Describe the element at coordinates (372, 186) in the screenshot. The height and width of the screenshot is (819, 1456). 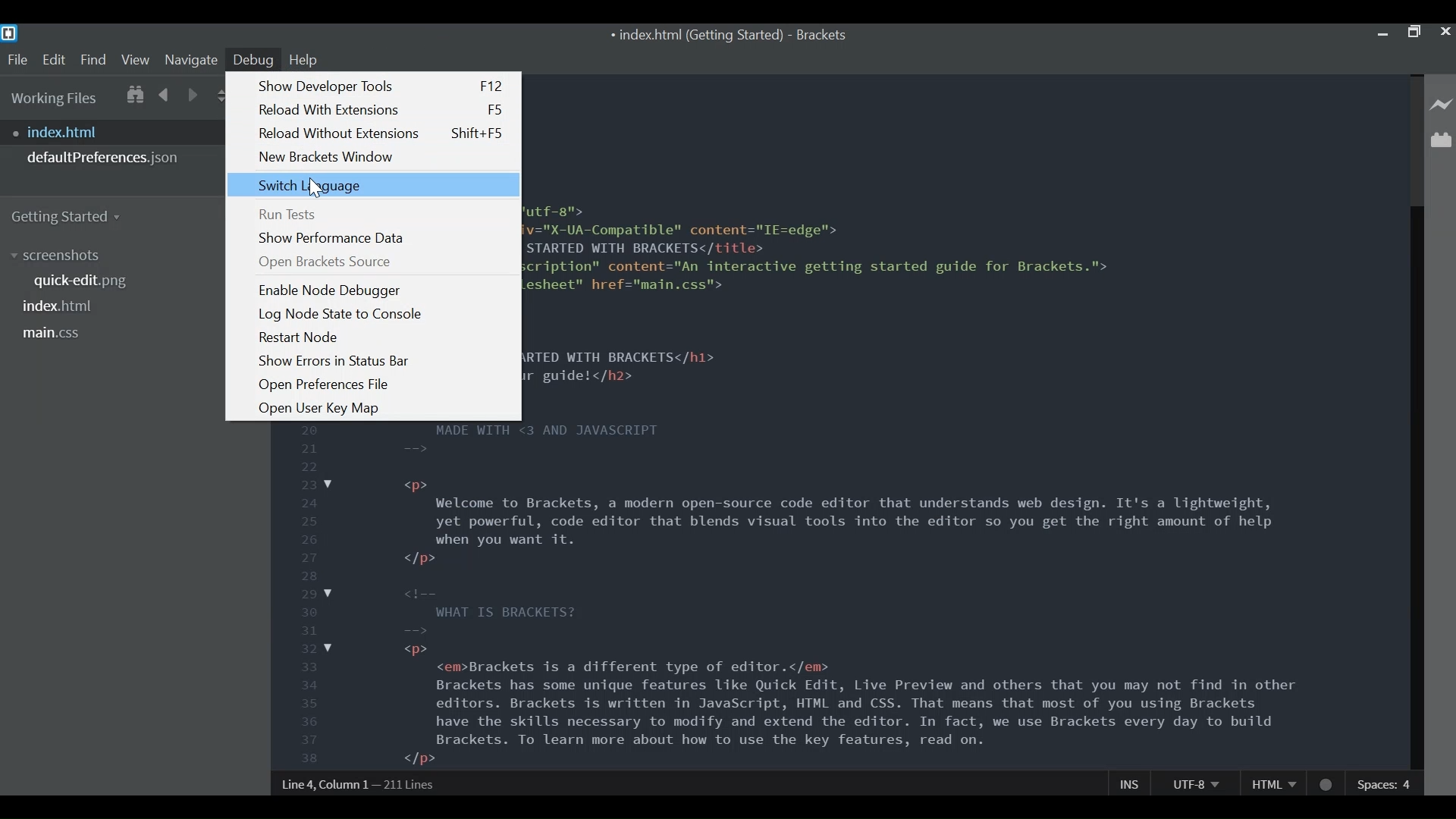
I see `Switch Language` at that location.